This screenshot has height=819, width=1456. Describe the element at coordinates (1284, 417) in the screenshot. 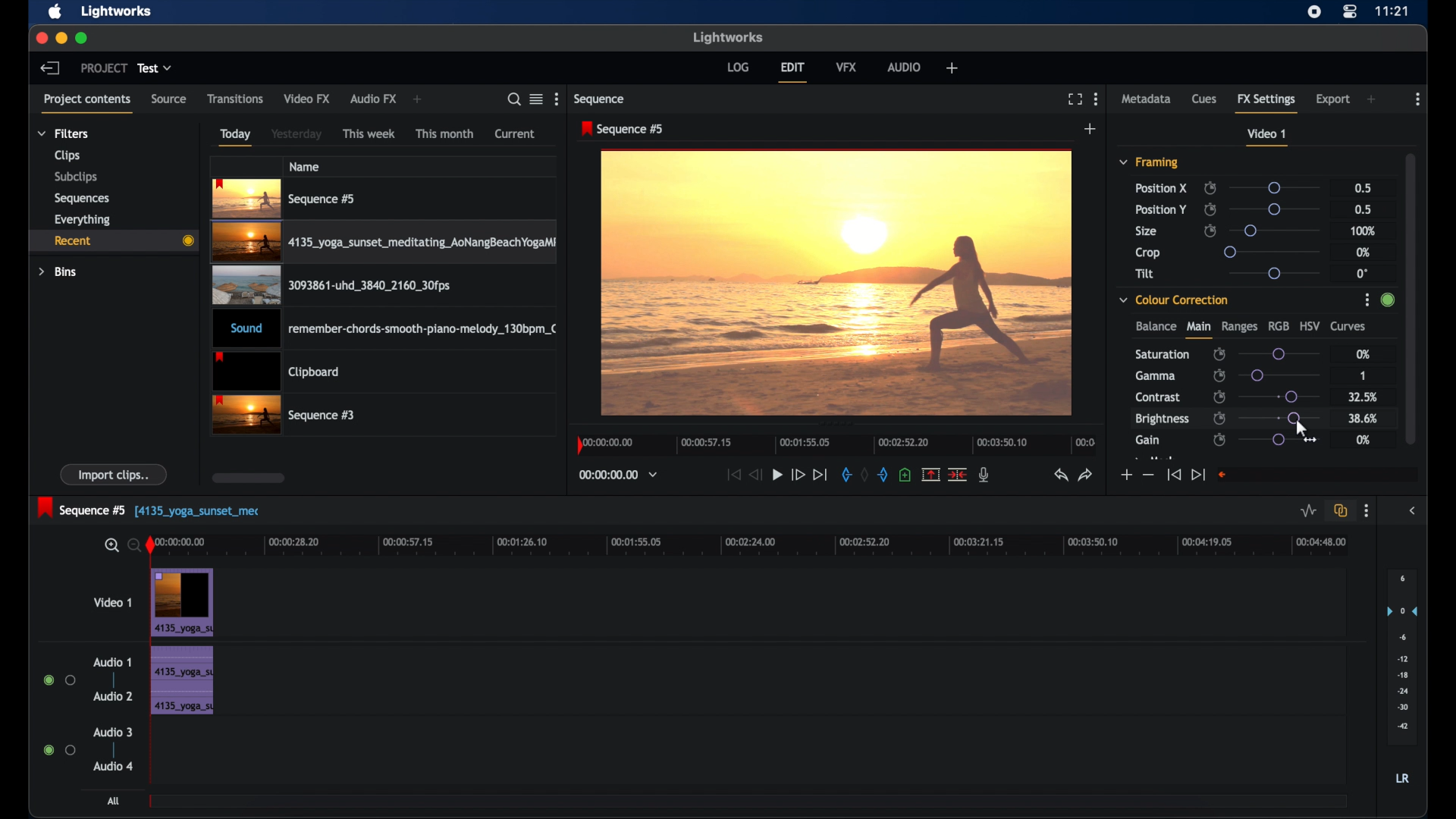

I see `slider` at that location.